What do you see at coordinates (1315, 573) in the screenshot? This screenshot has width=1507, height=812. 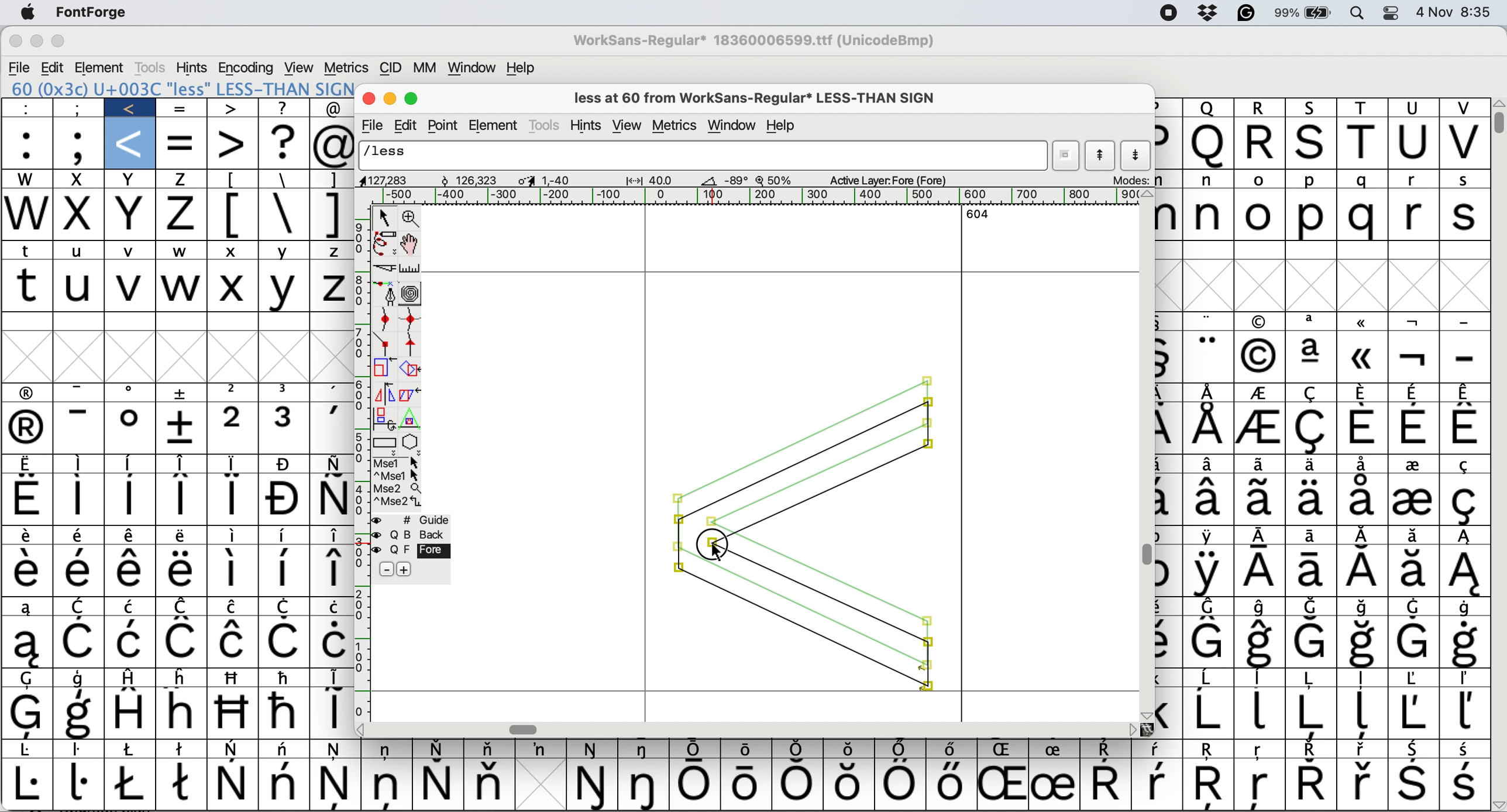 I see `Symbol` at bounding box center [1315, 573].